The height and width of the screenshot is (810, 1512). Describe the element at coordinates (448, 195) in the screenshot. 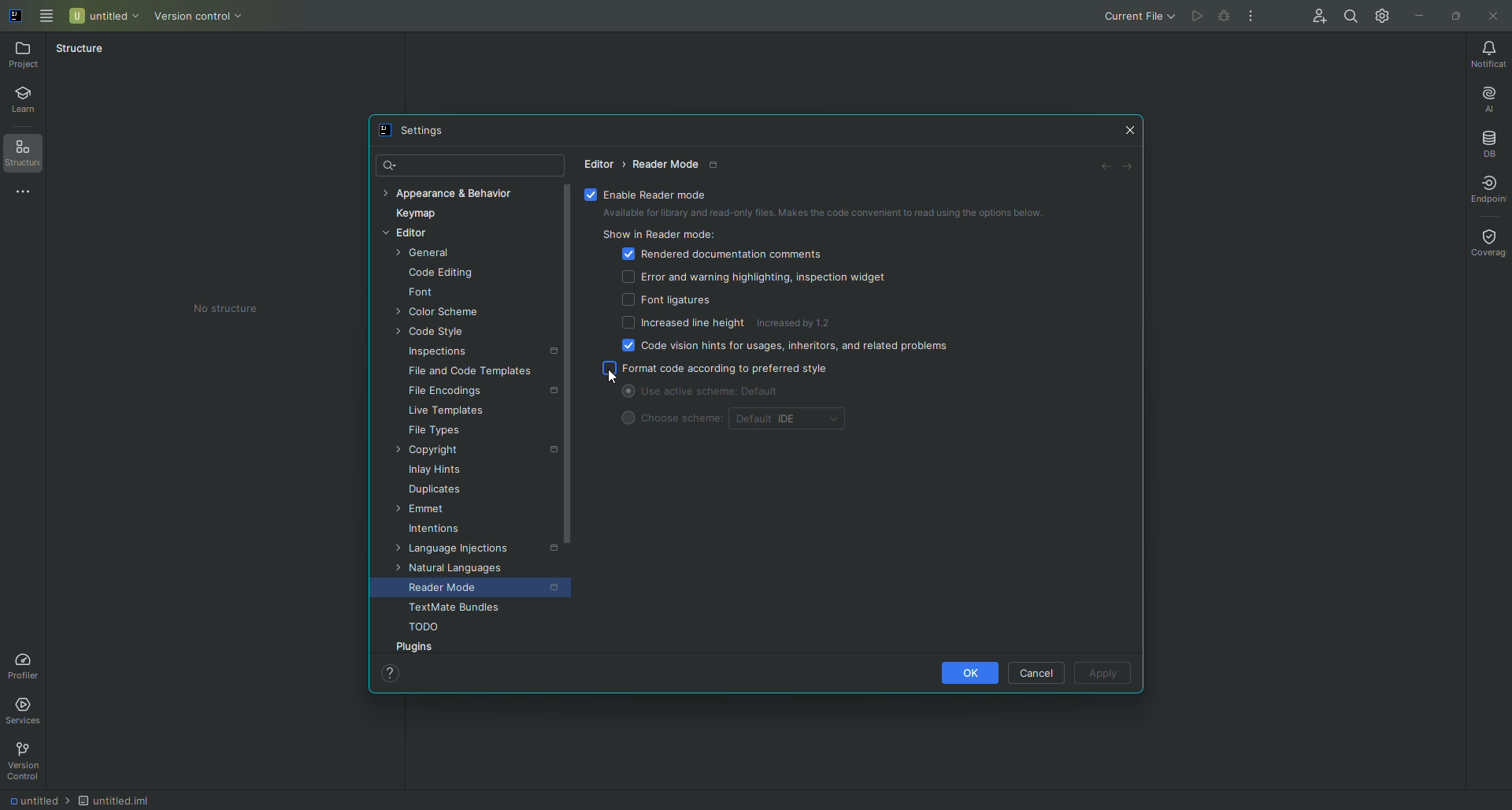

I see `Appearance and Behaviour` at that location.